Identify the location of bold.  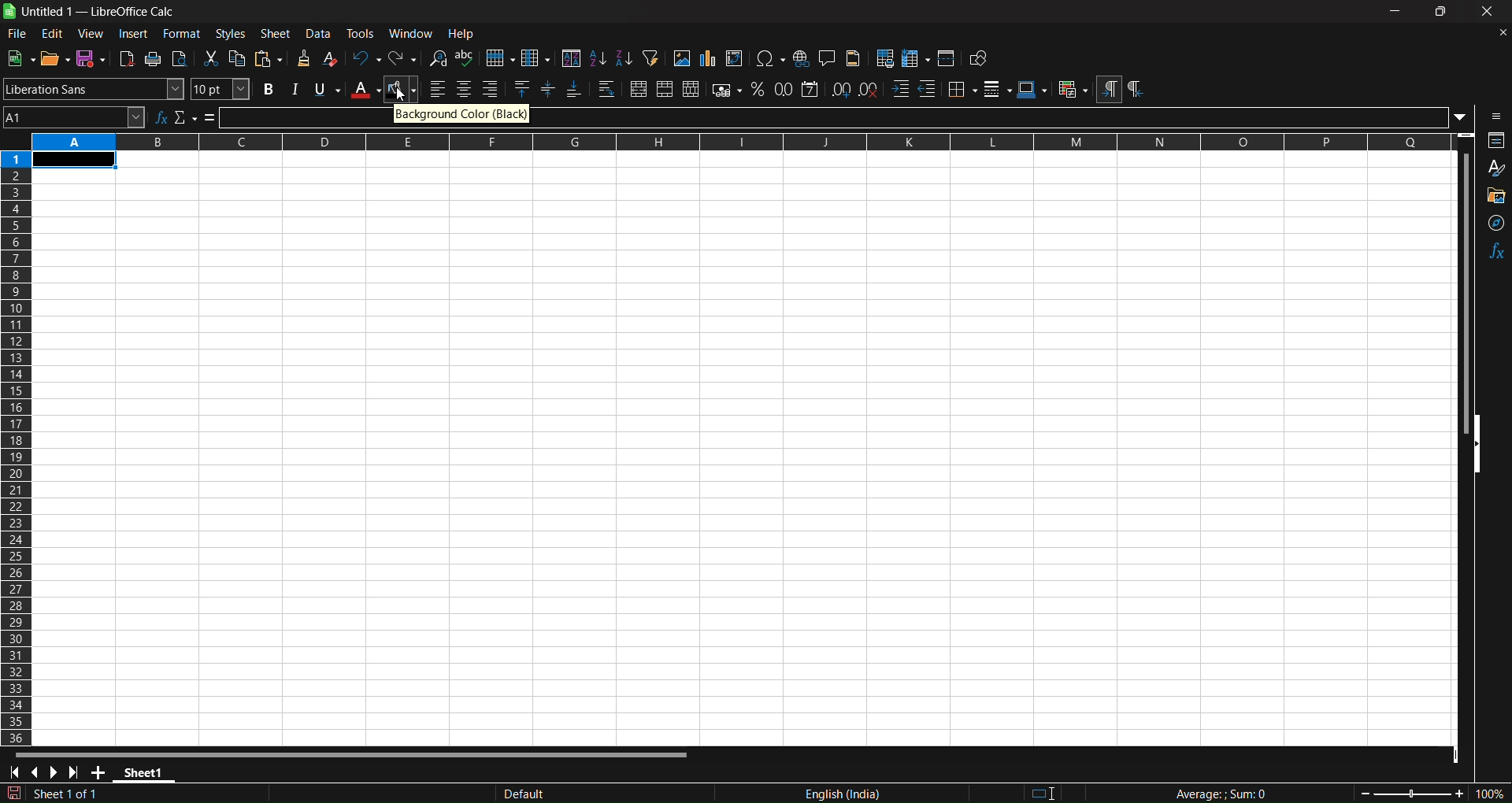
(270, 89).